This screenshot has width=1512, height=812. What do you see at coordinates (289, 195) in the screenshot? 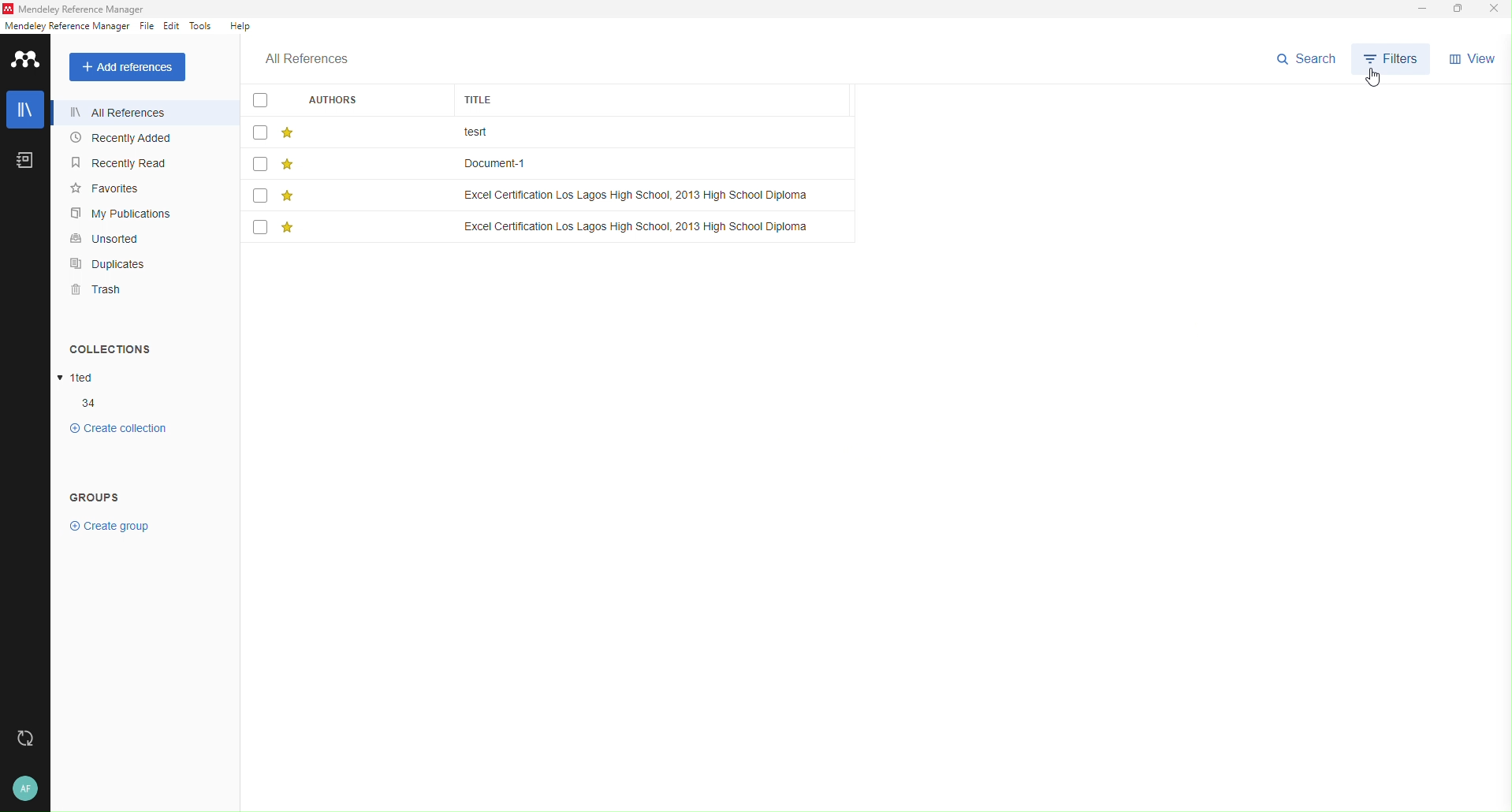
I see `star` at bounding box center [289, 195].